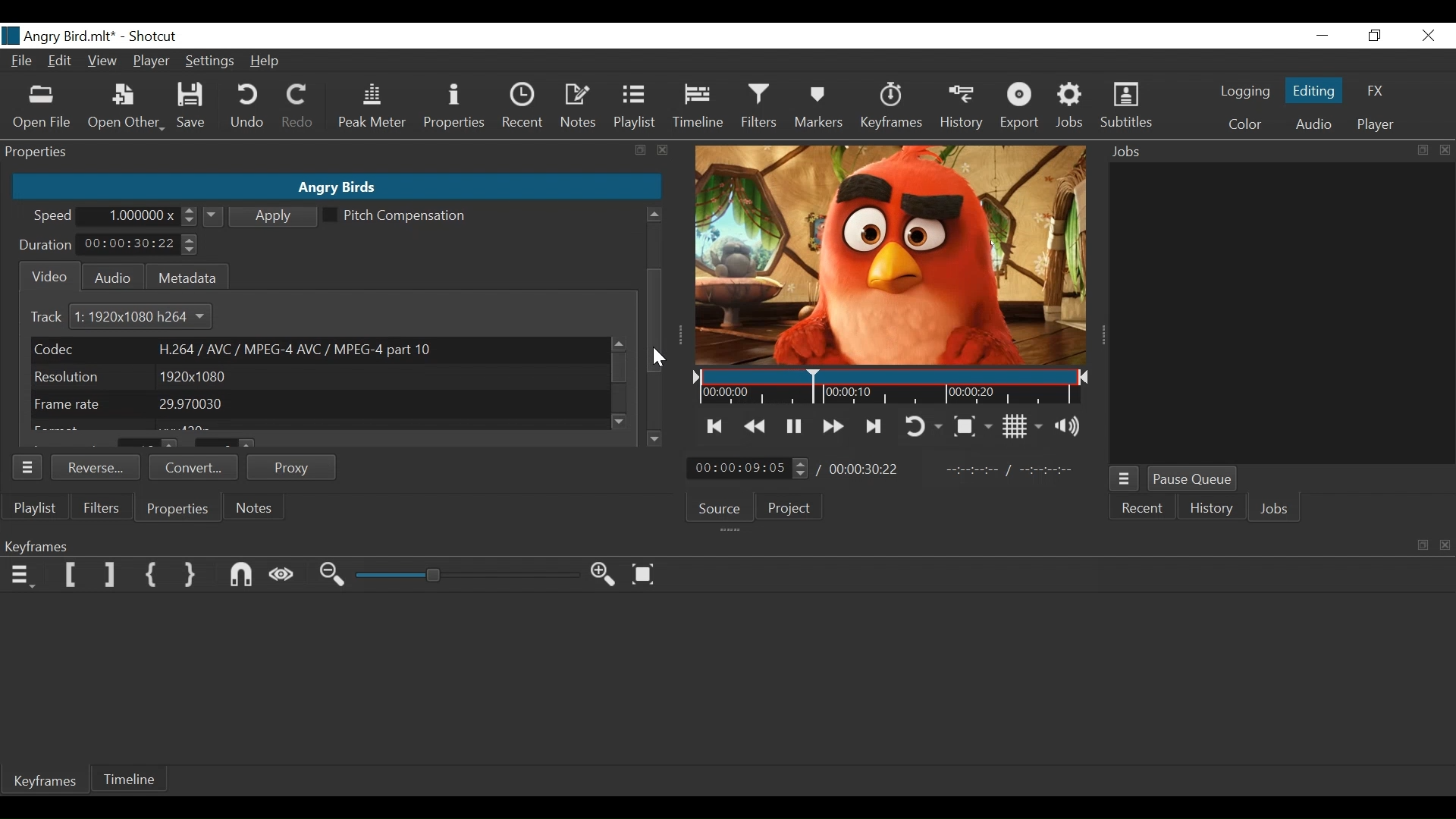 The height and width of the screenshot is (819, 1456). What do you see at coordinates (1311, 124) in the screenshot?
I see `Audio` at bounding box center [1311, 124].